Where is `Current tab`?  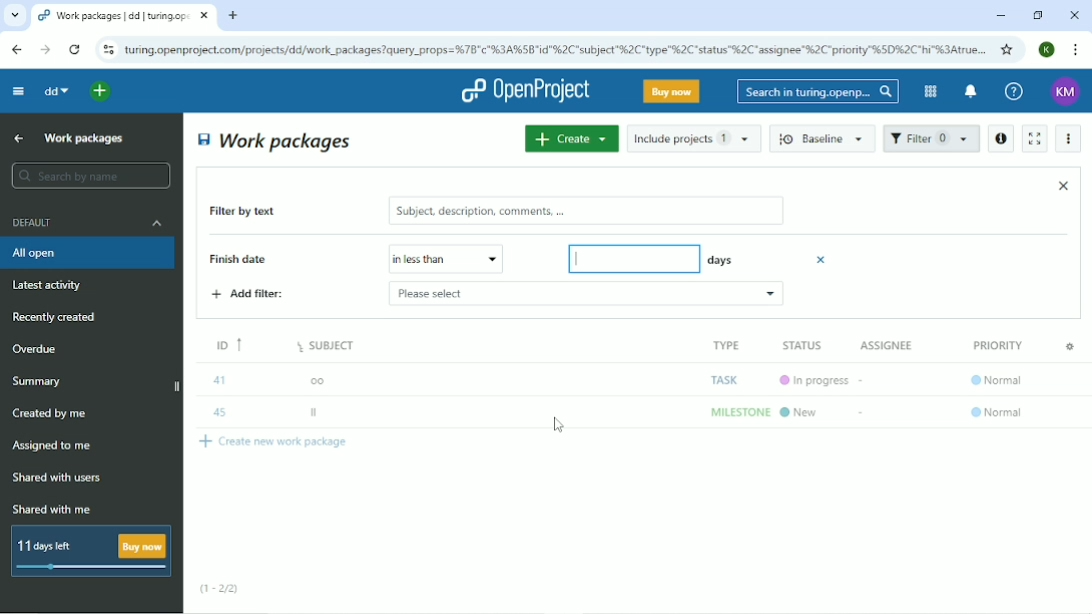
Current tab is located at coordinates (124, 16).